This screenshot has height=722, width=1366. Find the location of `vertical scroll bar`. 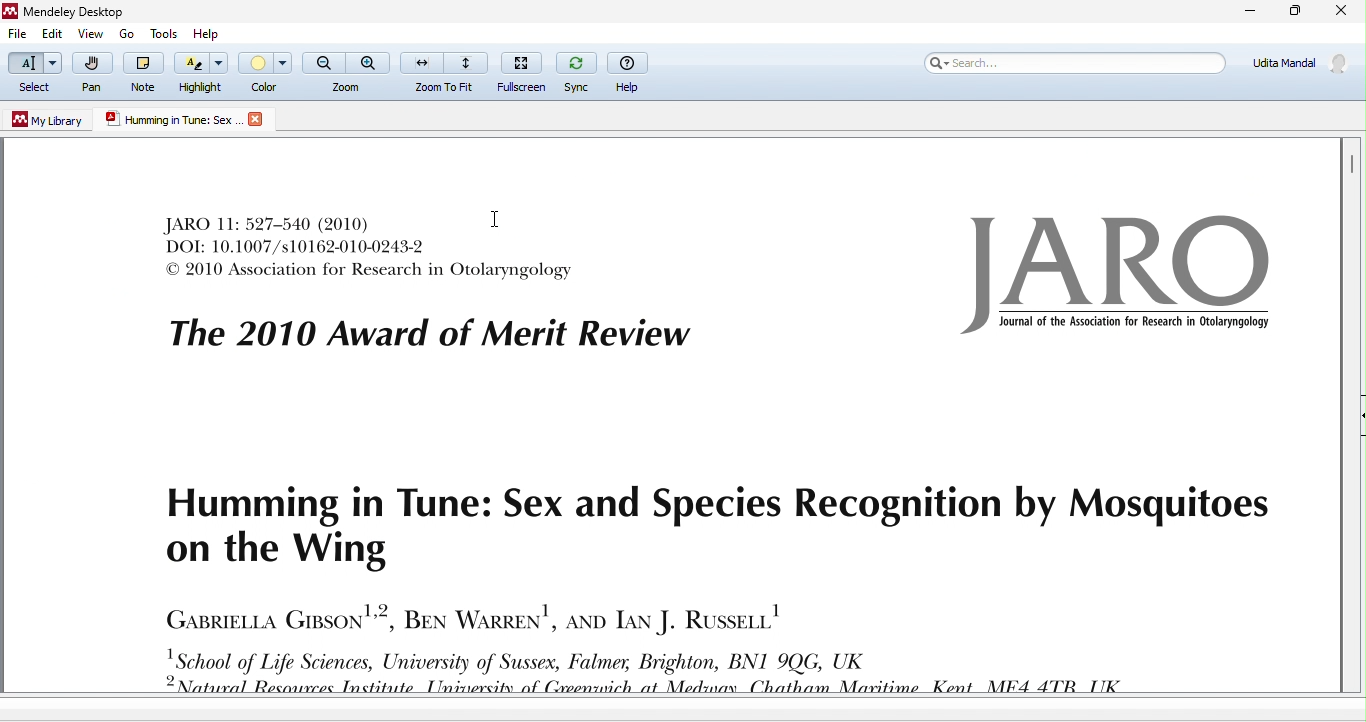

vertical scroll bar is located at coordinates (1352, 166).